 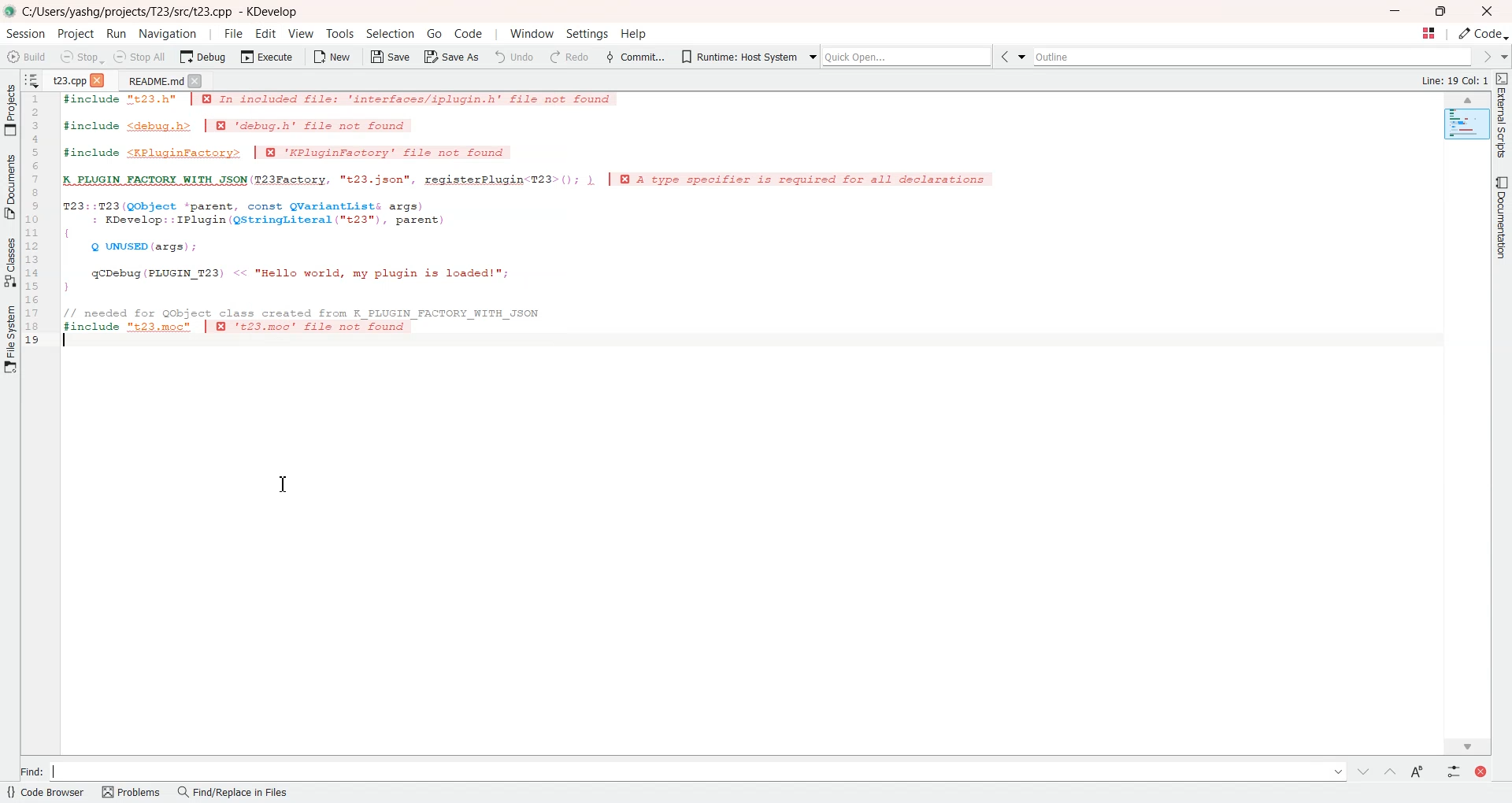 What do you see at coordinates (233, 33) in the screenshot?
I see `File` at bounding box center [233, 33].